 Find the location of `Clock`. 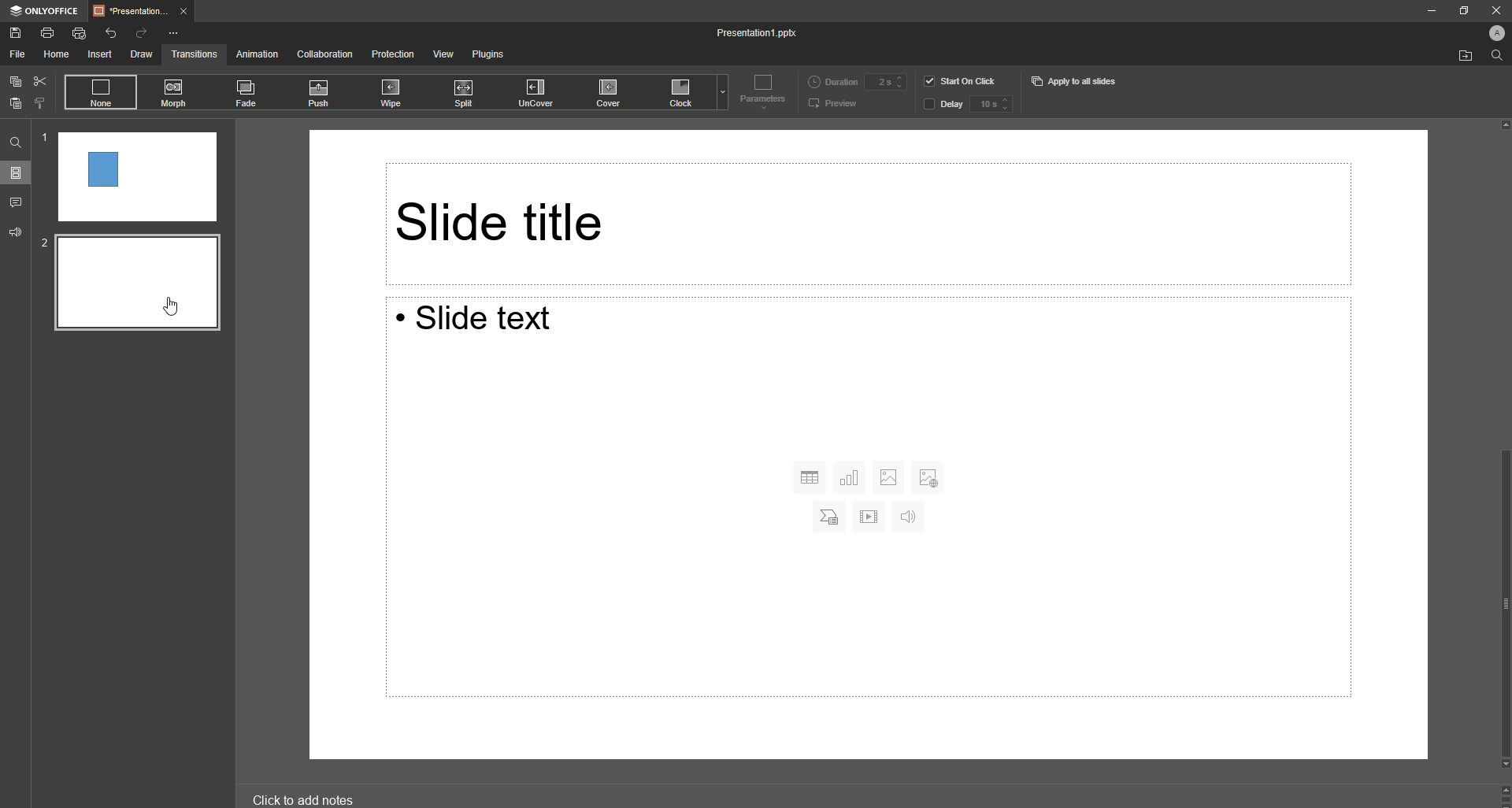

Clock is located at coordinates (677, 95).